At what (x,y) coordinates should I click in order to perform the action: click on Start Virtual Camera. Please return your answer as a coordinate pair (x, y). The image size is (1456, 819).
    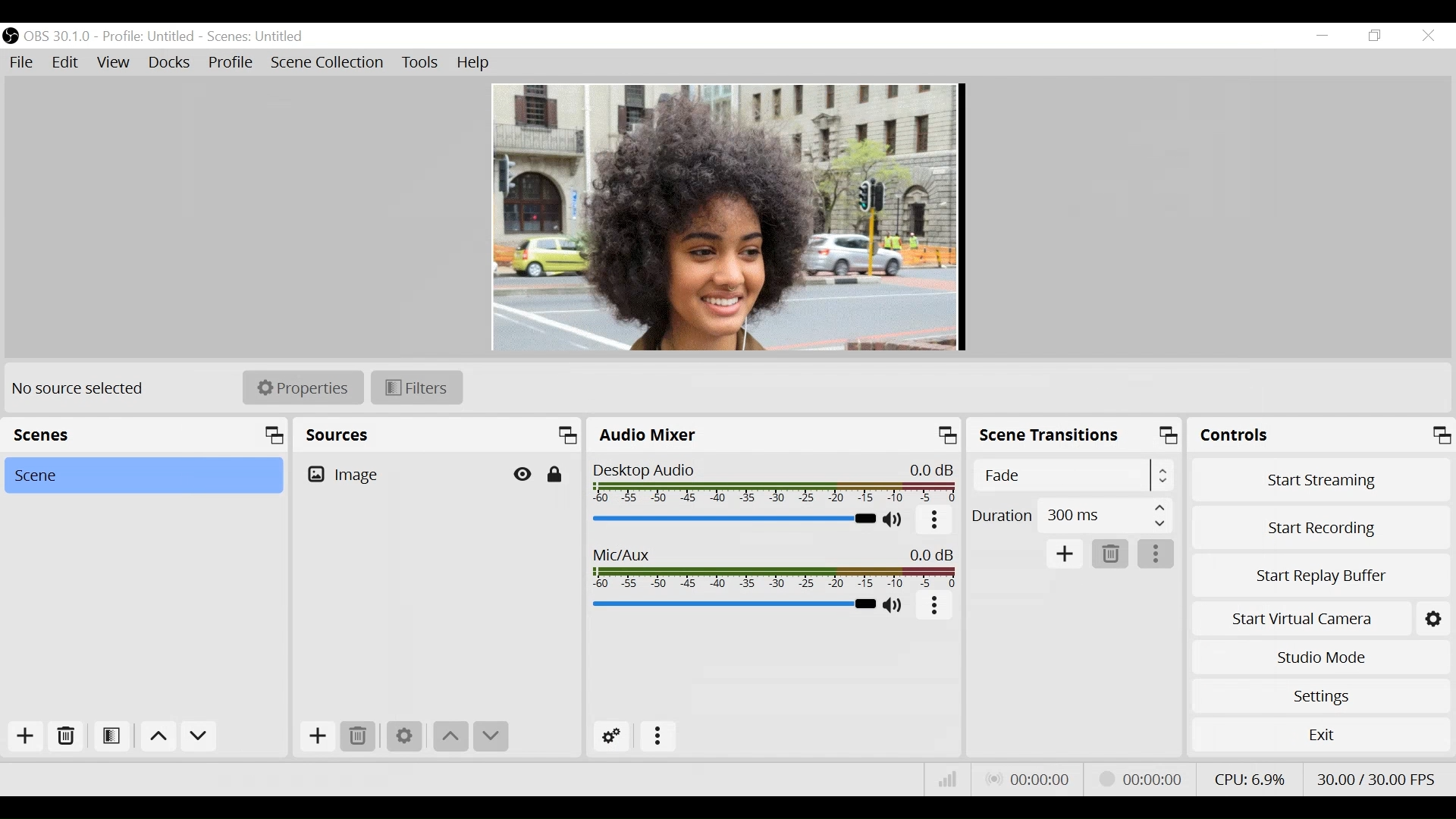
    Looking at the image, I should click on (1300, 617).